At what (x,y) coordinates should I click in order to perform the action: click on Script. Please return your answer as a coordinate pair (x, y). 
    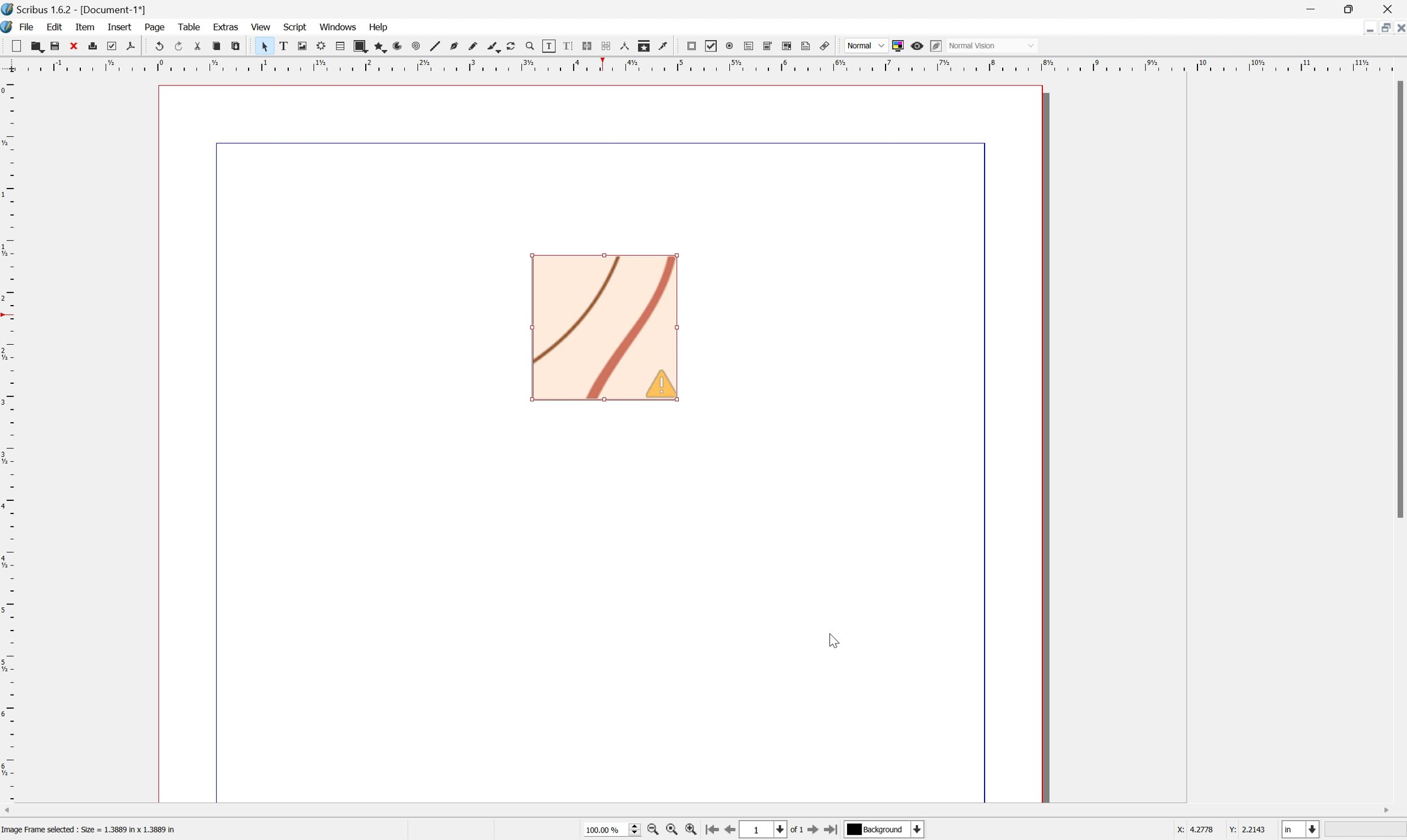
    Looking at the image, I should click on (296, 28).